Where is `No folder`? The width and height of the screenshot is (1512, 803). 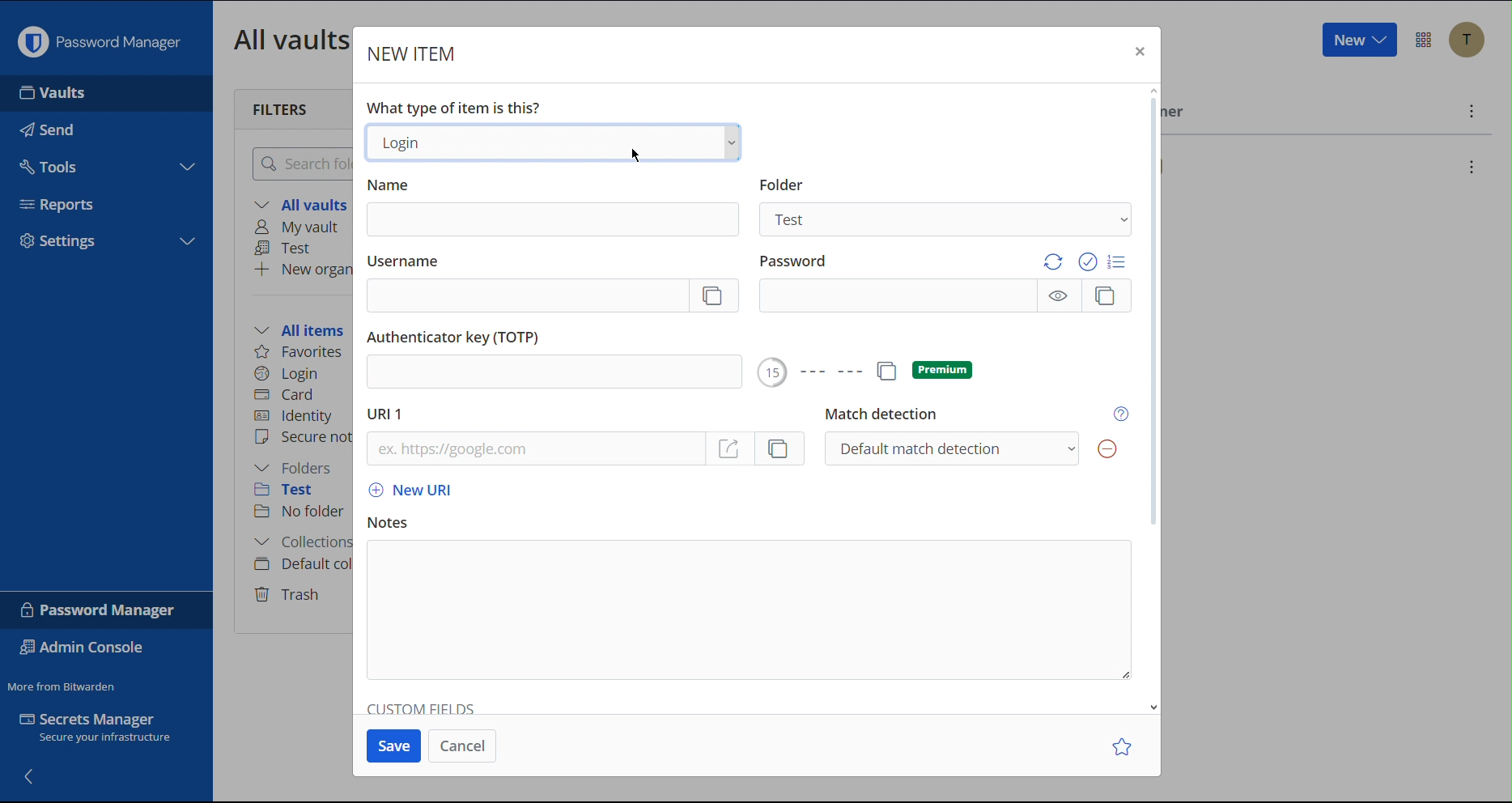
No folder is located at coordinates (301, 512).